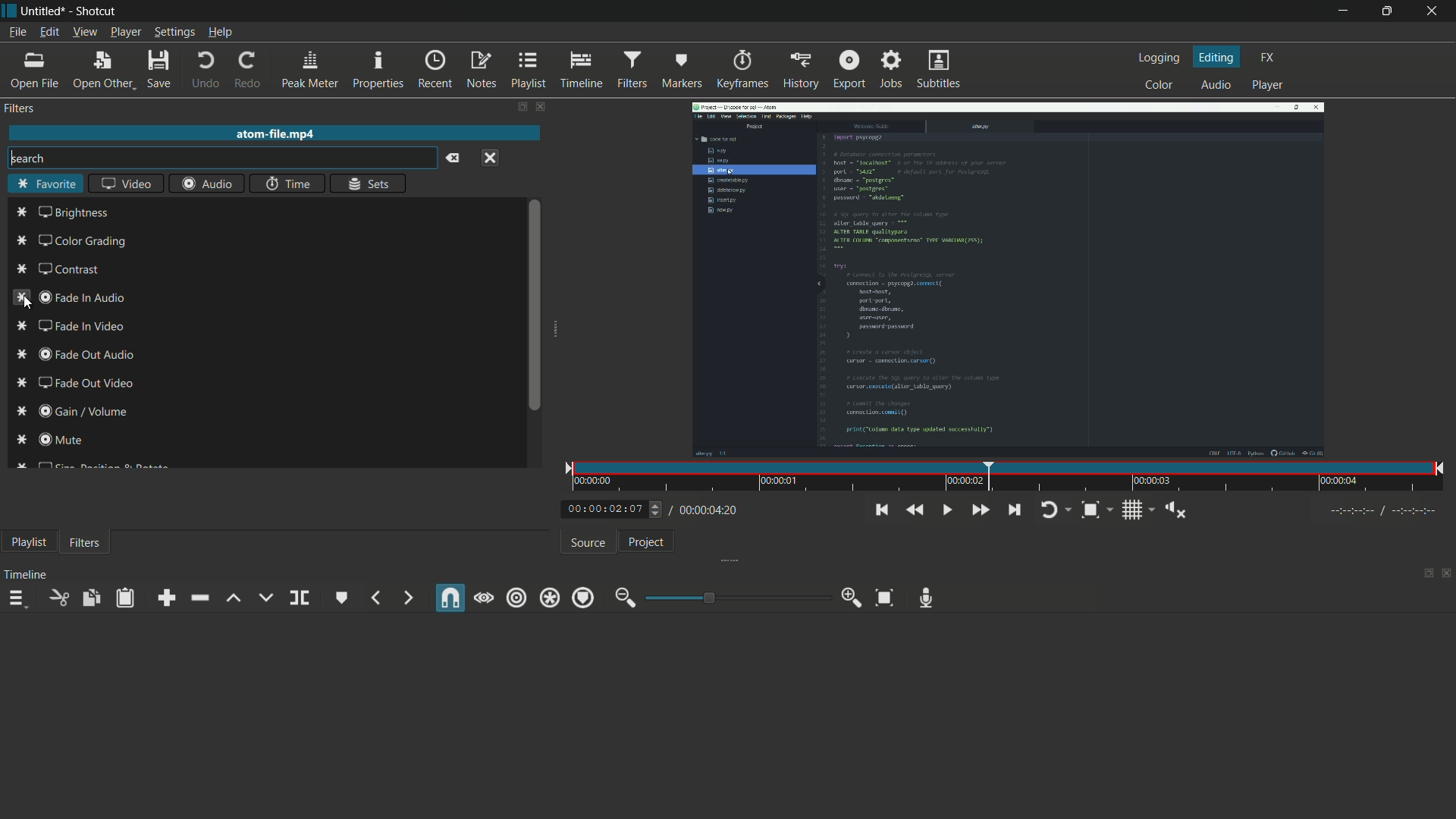  What do you see at coordinates (300, 598) in the screenshot?
I see `split at playhead` at bounding box center [300, 598].